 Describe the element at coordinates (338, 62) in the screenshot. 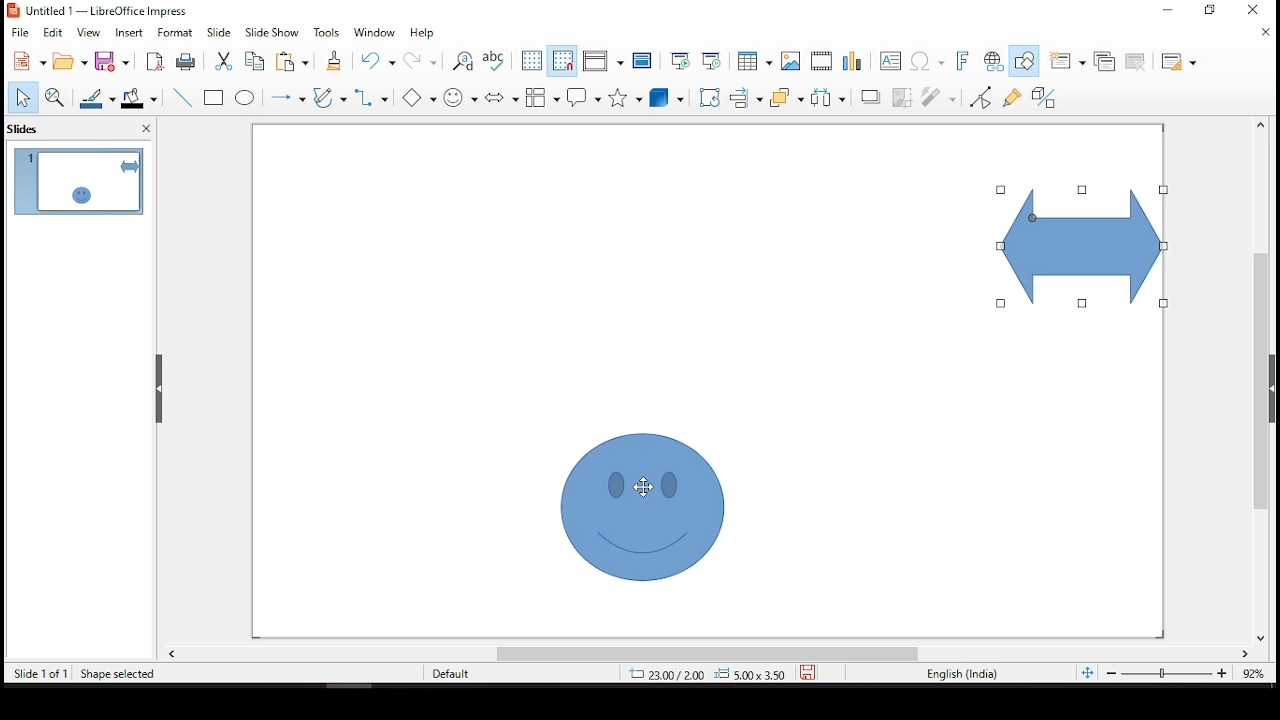

I see `clone formatting` at that location.